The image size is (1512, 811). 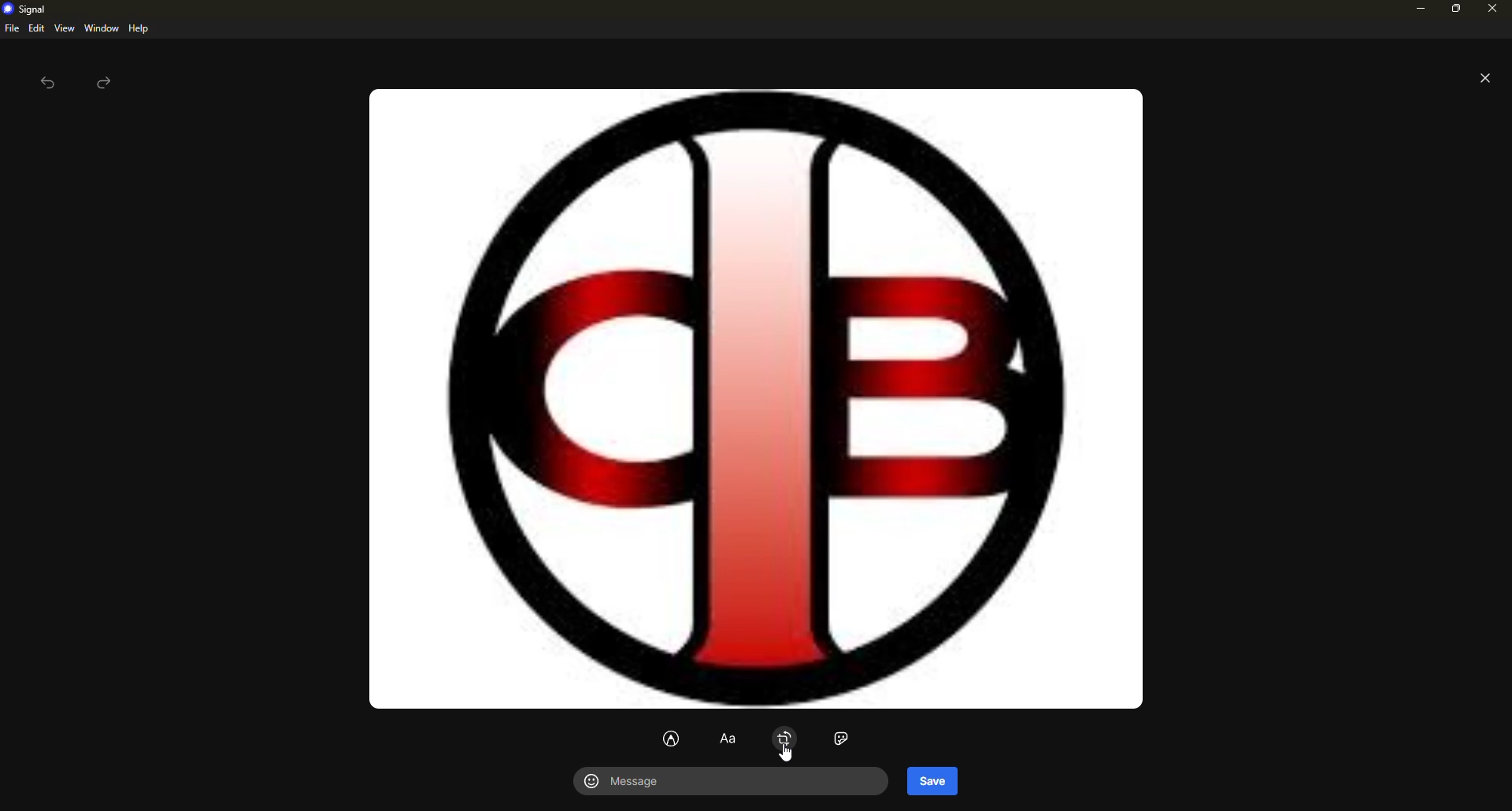 What do you see at coordinates (669, 739) in the screenshot?
I see `edit` at bounding box center [669, 739].